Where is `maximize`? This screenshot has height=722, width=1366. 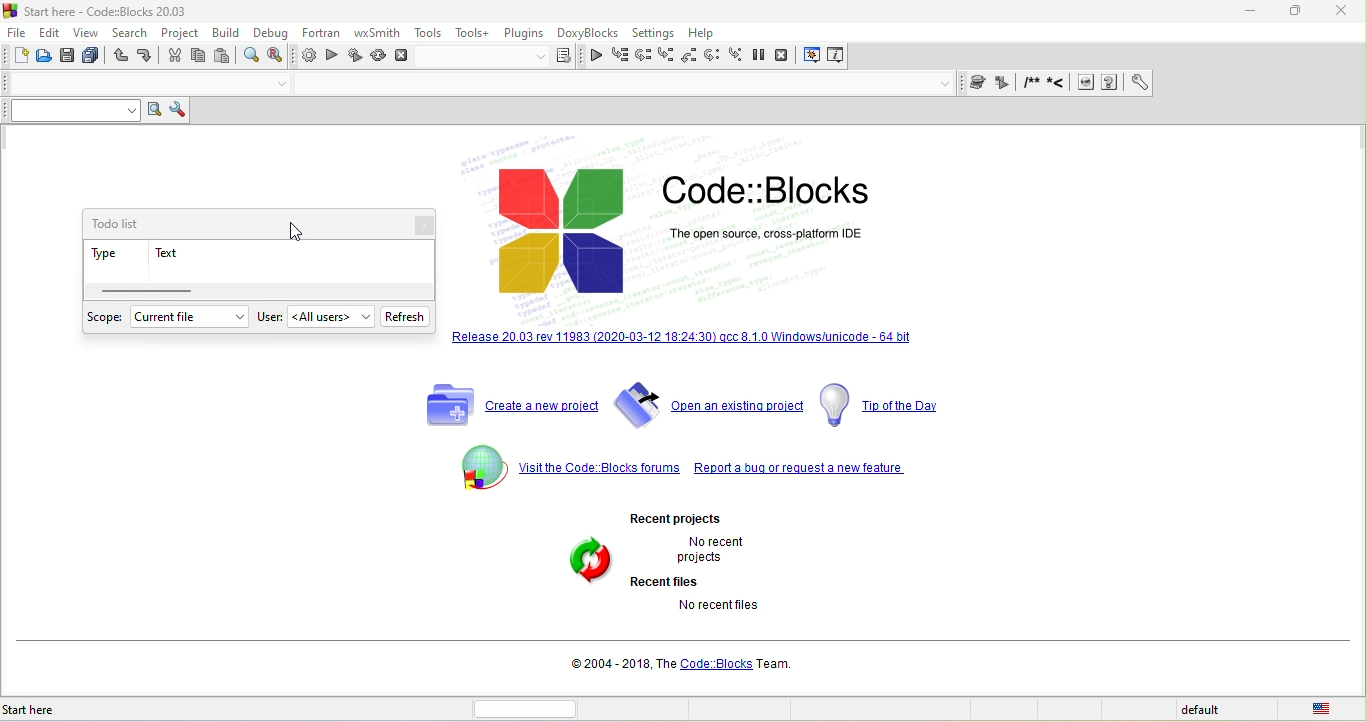
maximize is located at coordinates (1297, 11).